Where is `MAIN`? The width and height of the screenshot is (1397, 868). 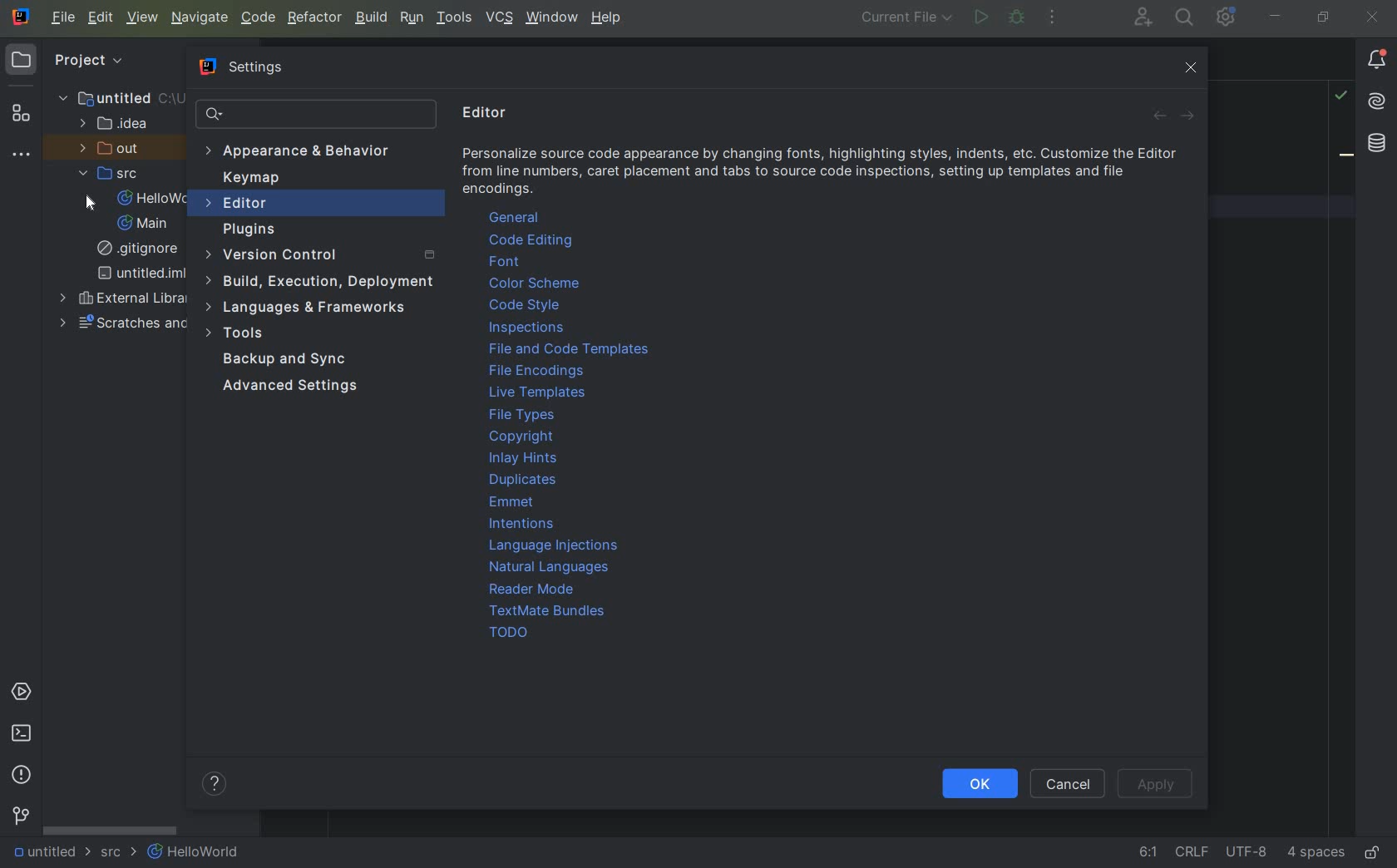
MAIN is located at coordinates (146, 223).